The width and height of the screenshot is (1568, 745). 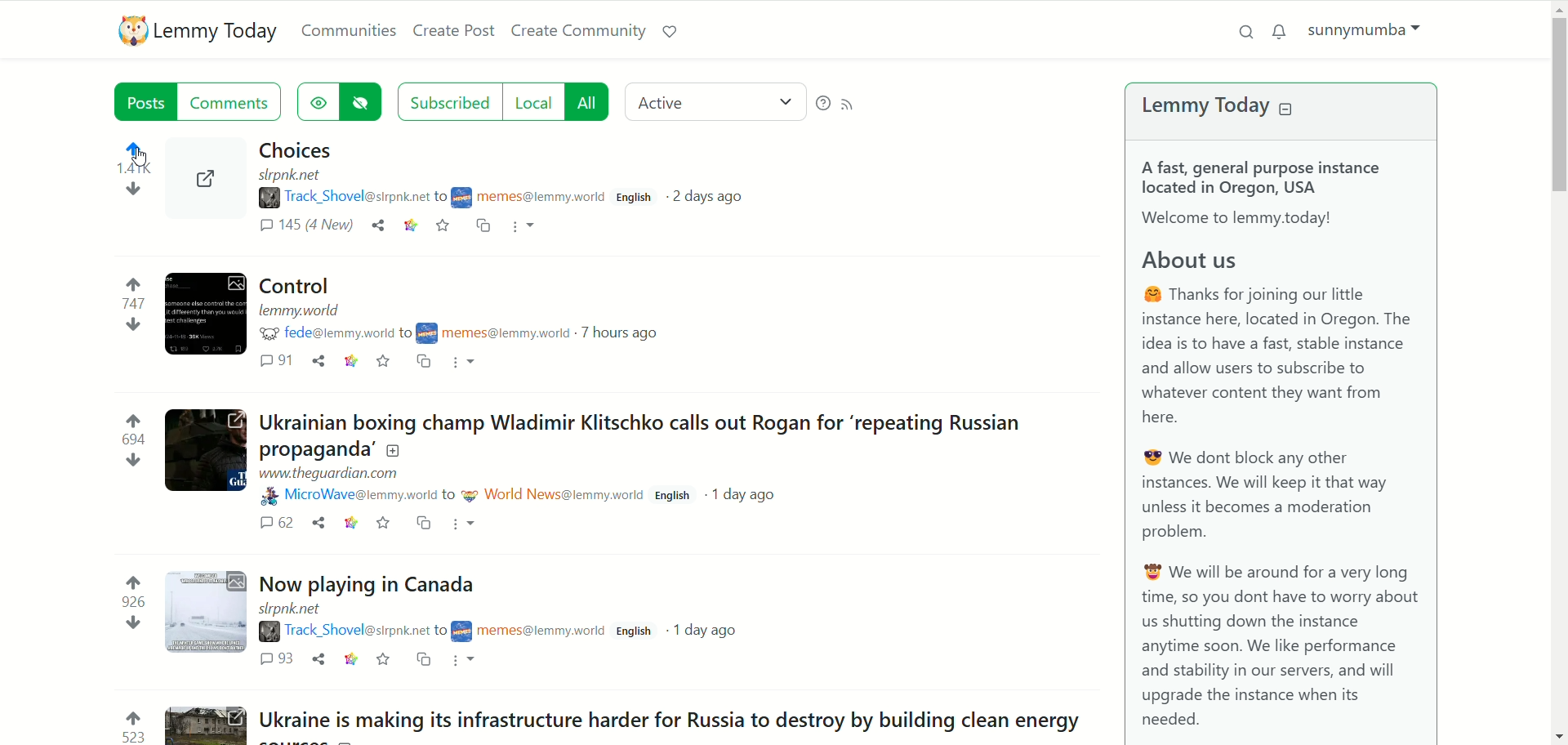 What do you see at coordinates (278, 522) in the screenshot?
I see `62 comments` at bounding box center [278, 522].